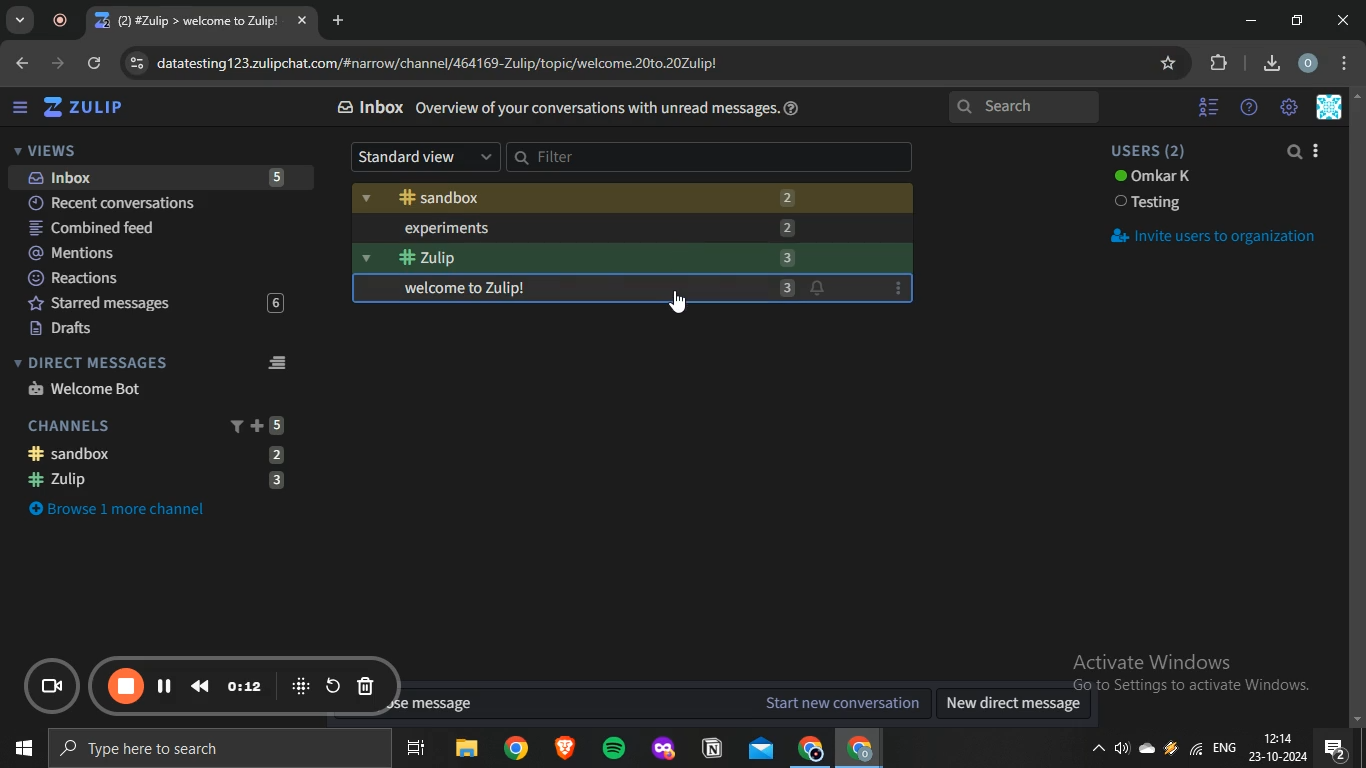 This screenshot has height=768, width=1366. I want to click on recent conversations, so click(157, 201).